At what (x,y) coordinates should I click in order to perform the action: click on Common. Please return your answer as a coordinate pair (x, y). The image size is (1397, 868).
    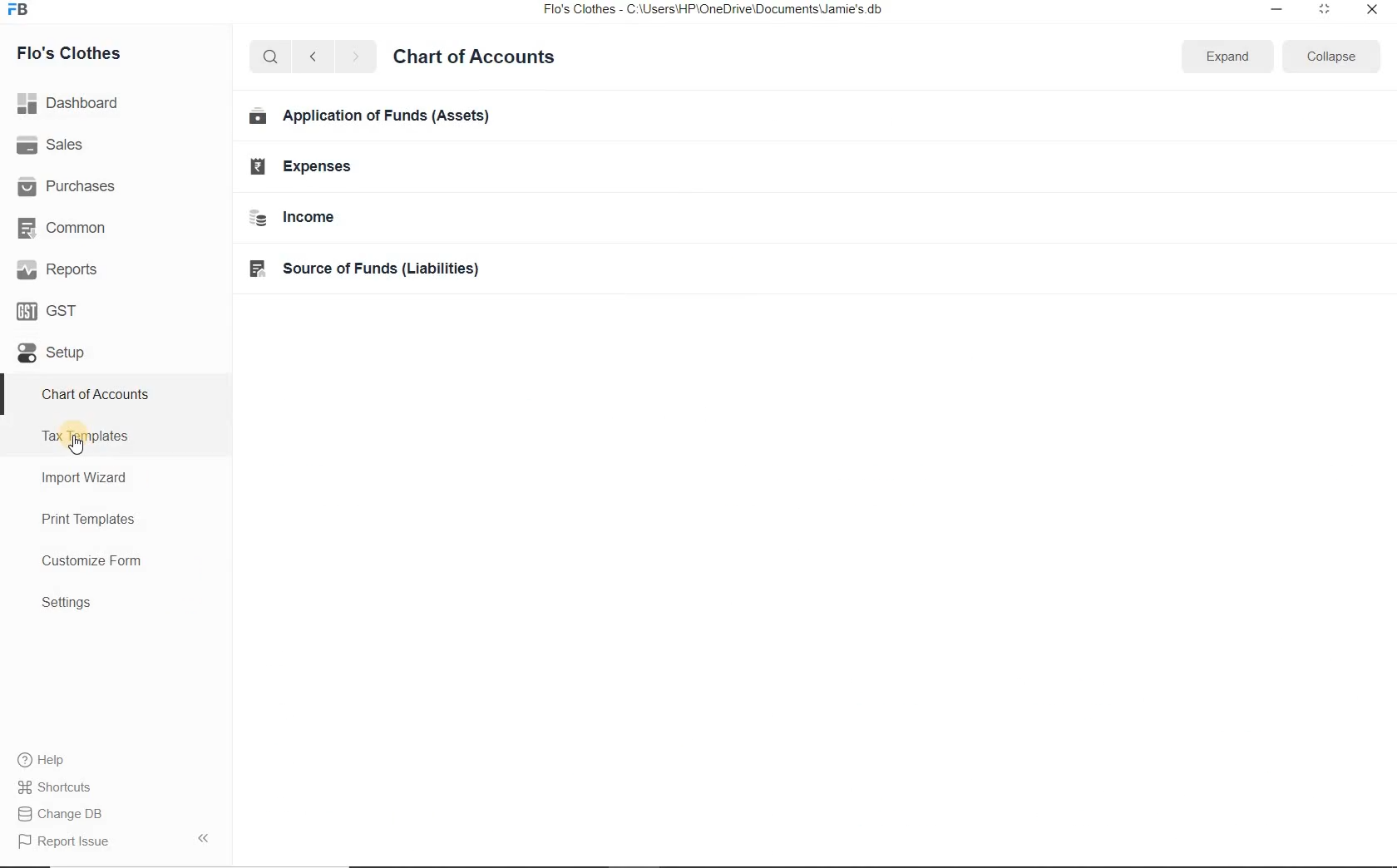
    Looking at the image, I should click on (116, 225).